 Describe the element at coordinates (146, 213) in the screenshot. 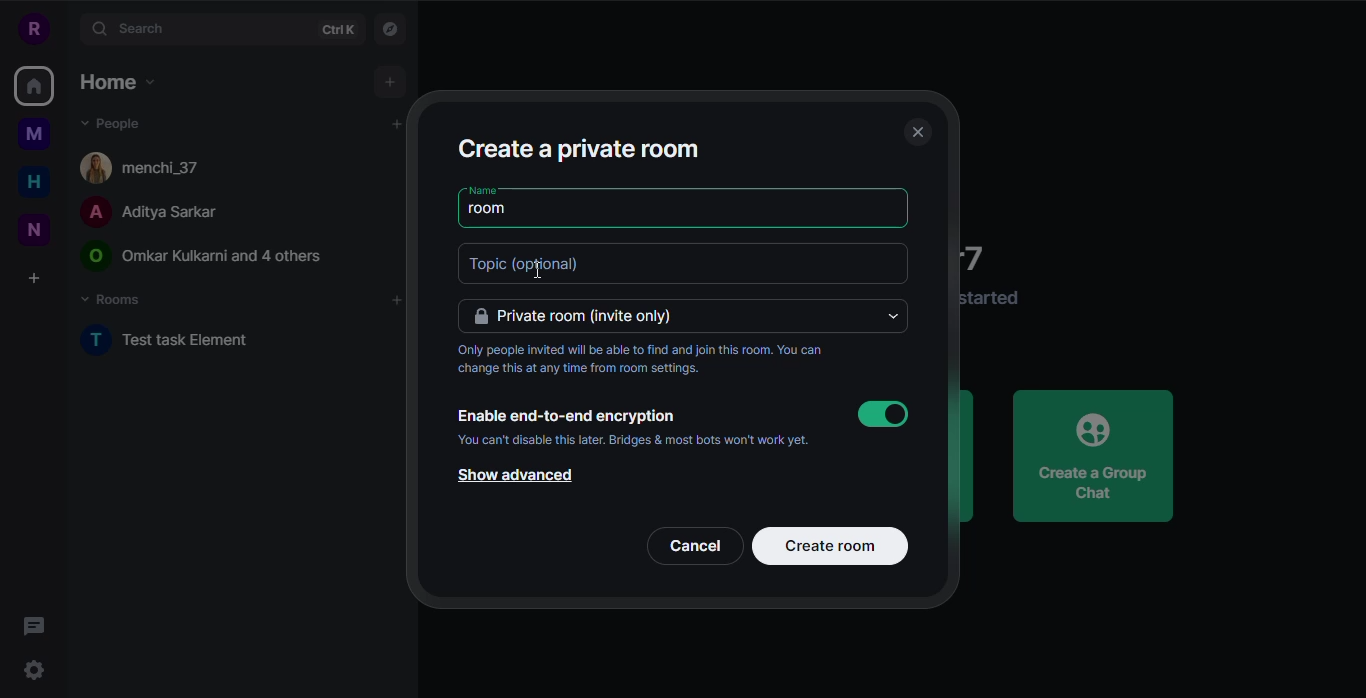

I see `people` at that location.